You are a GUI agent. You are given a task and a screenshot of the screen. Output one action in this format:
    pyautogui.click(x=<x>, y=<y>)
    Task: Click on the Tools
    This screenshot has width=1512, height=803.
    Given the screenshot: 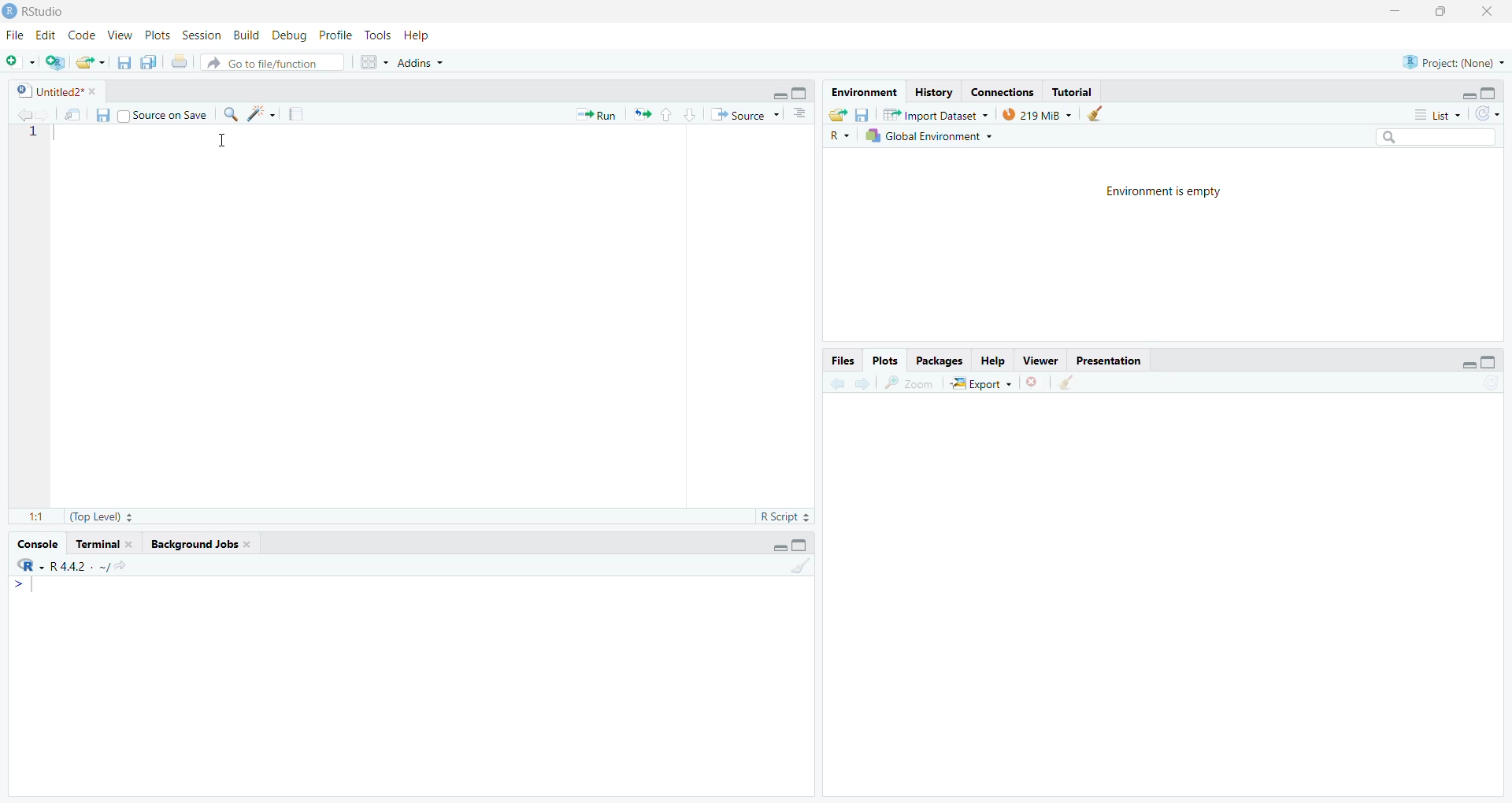 What is the action you would take?
    pyautogui.click(x=380, y=35)
    